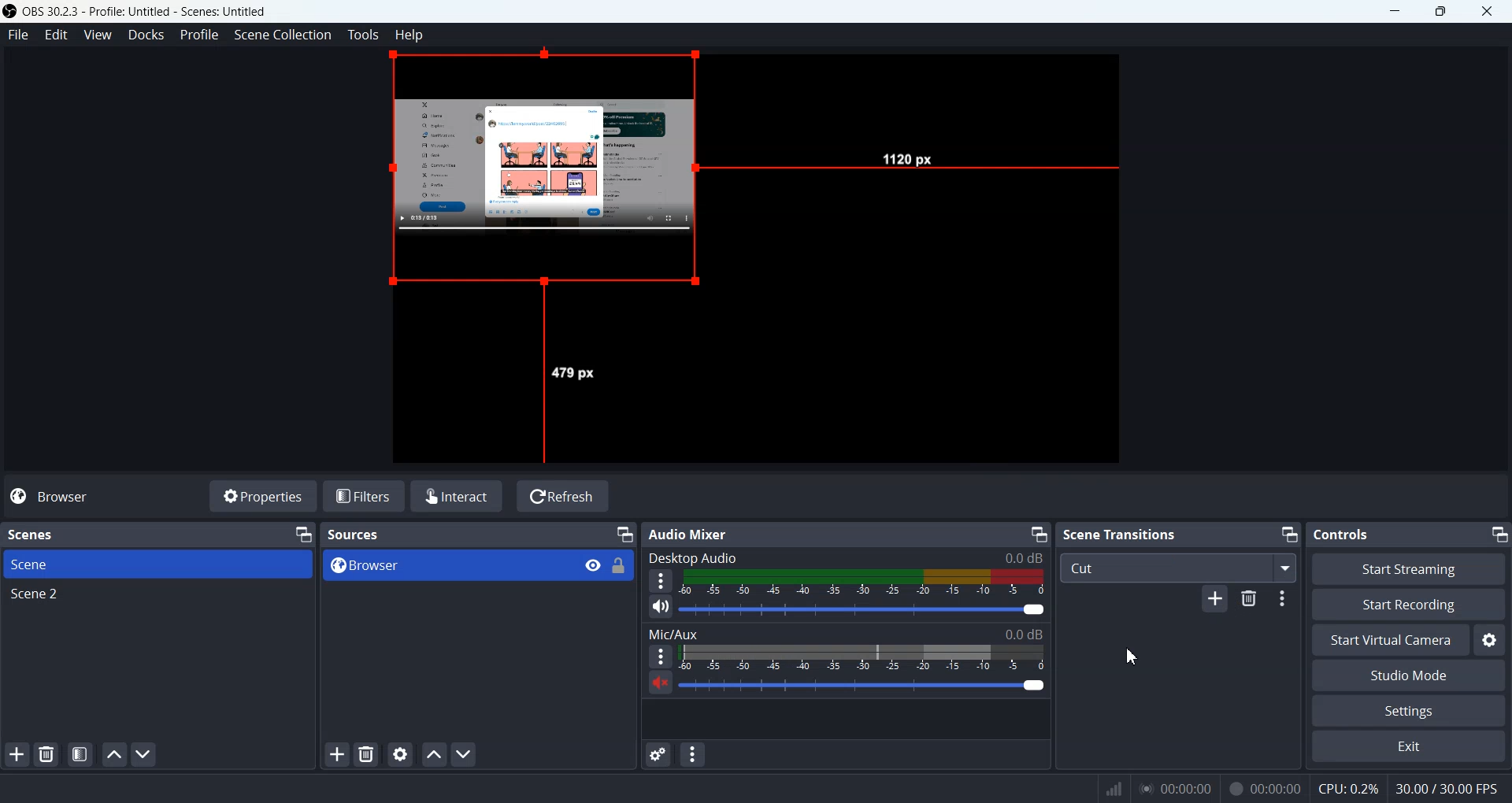 Image resolution: width=1512 pixels, height=803 pixels. What do you see at coordinates (264, 496) in the screenshot?
I see `Properties` at bounding box center [264, 496].